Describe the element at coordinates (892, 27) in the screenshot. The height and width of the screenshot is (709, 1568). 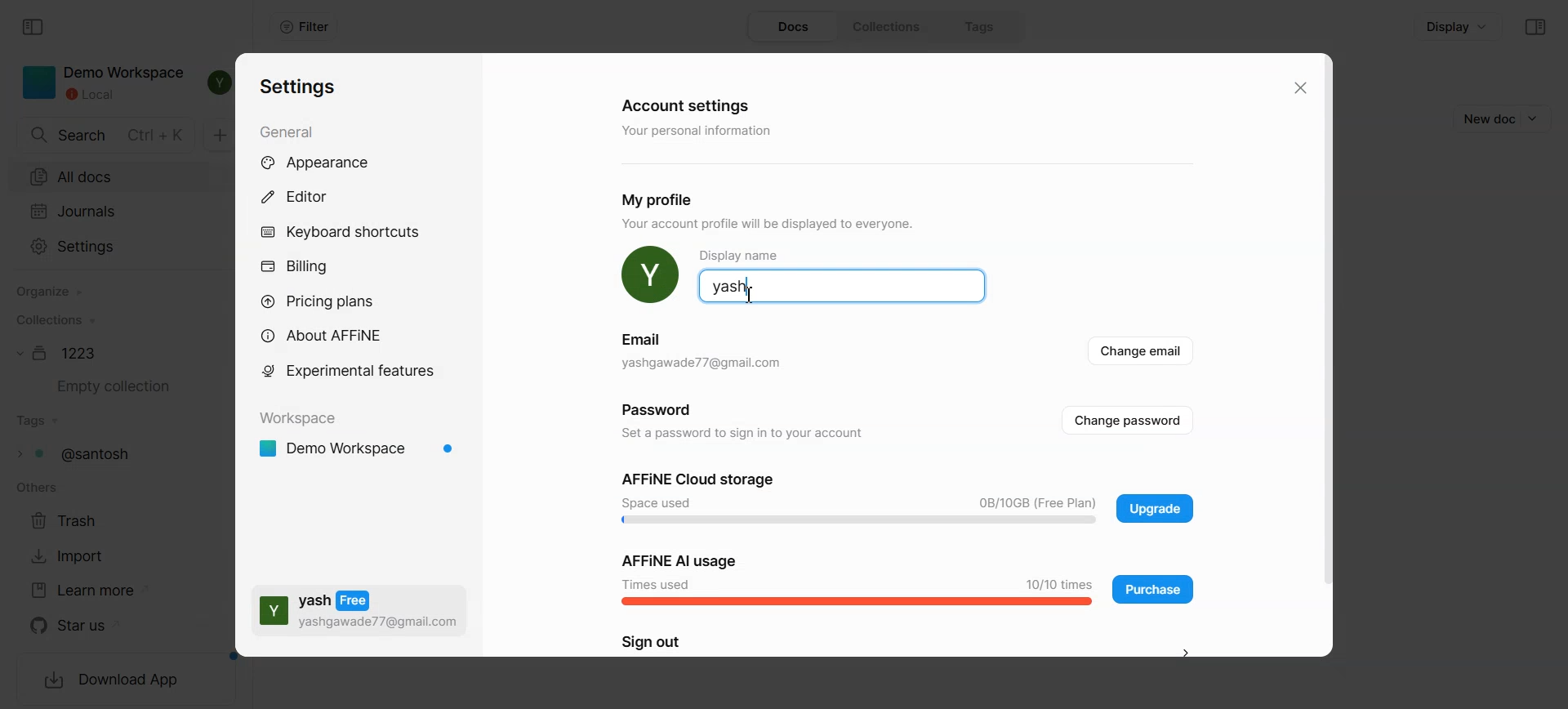
I see `Collections` at that location.